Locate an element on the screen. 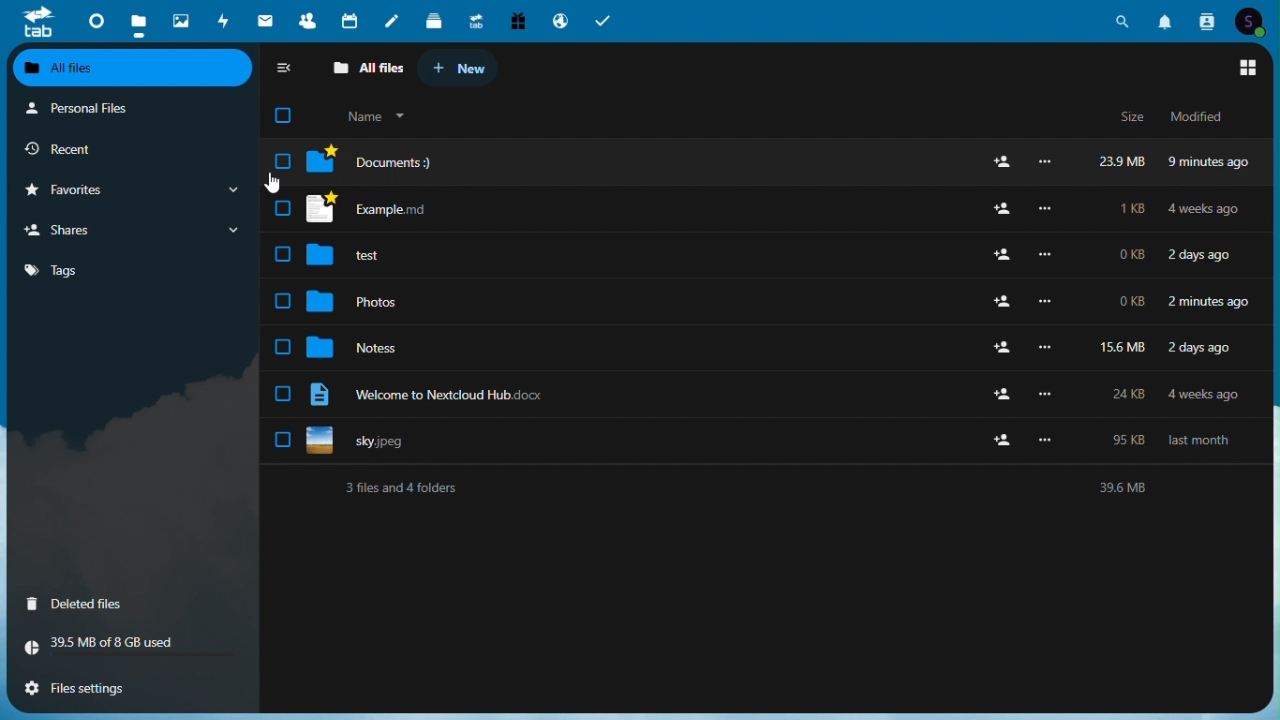   is located at coordinates (782, 303).